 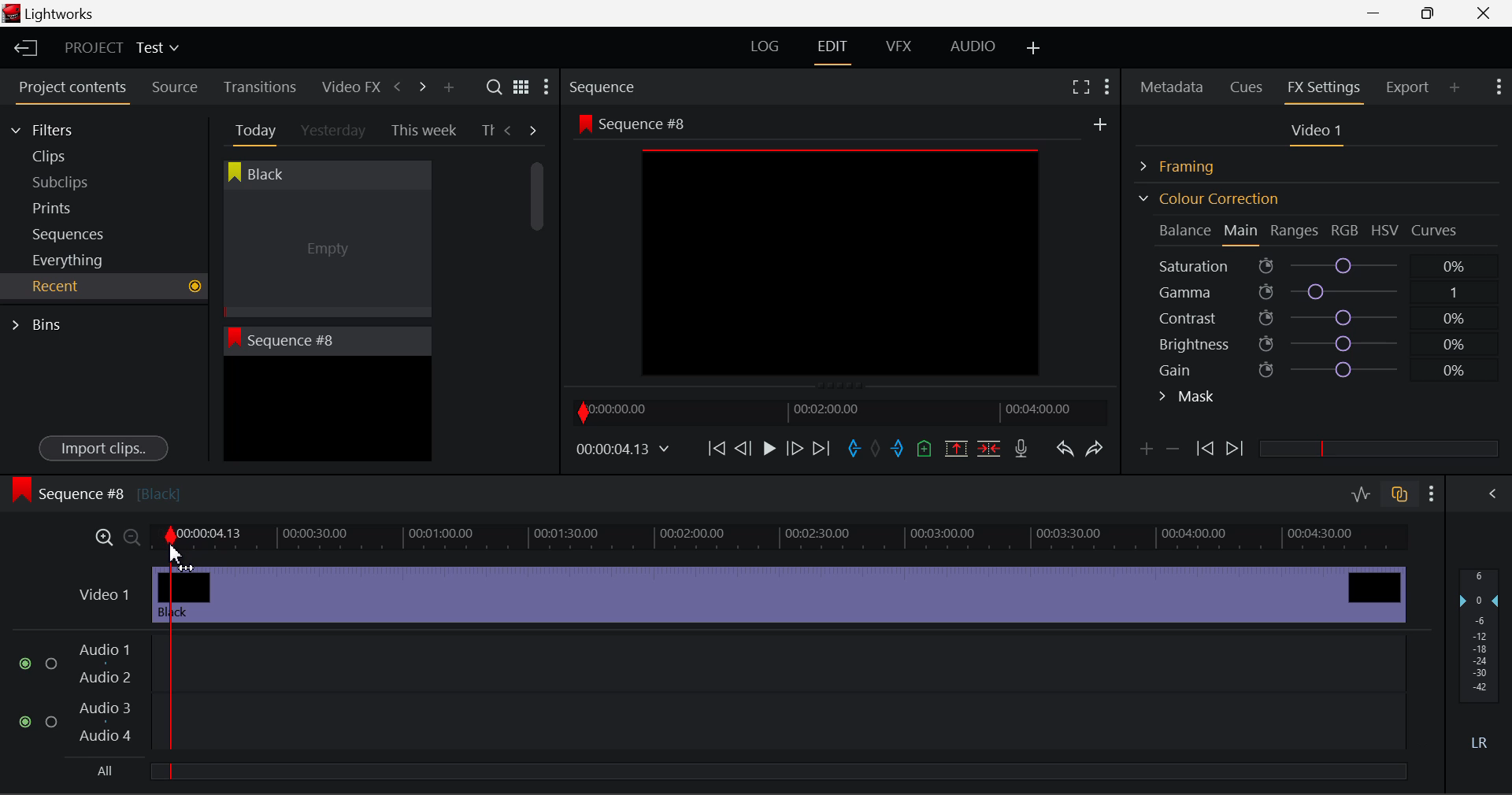 I want to click on Recent Tab Open, so click(x=104, y=287).